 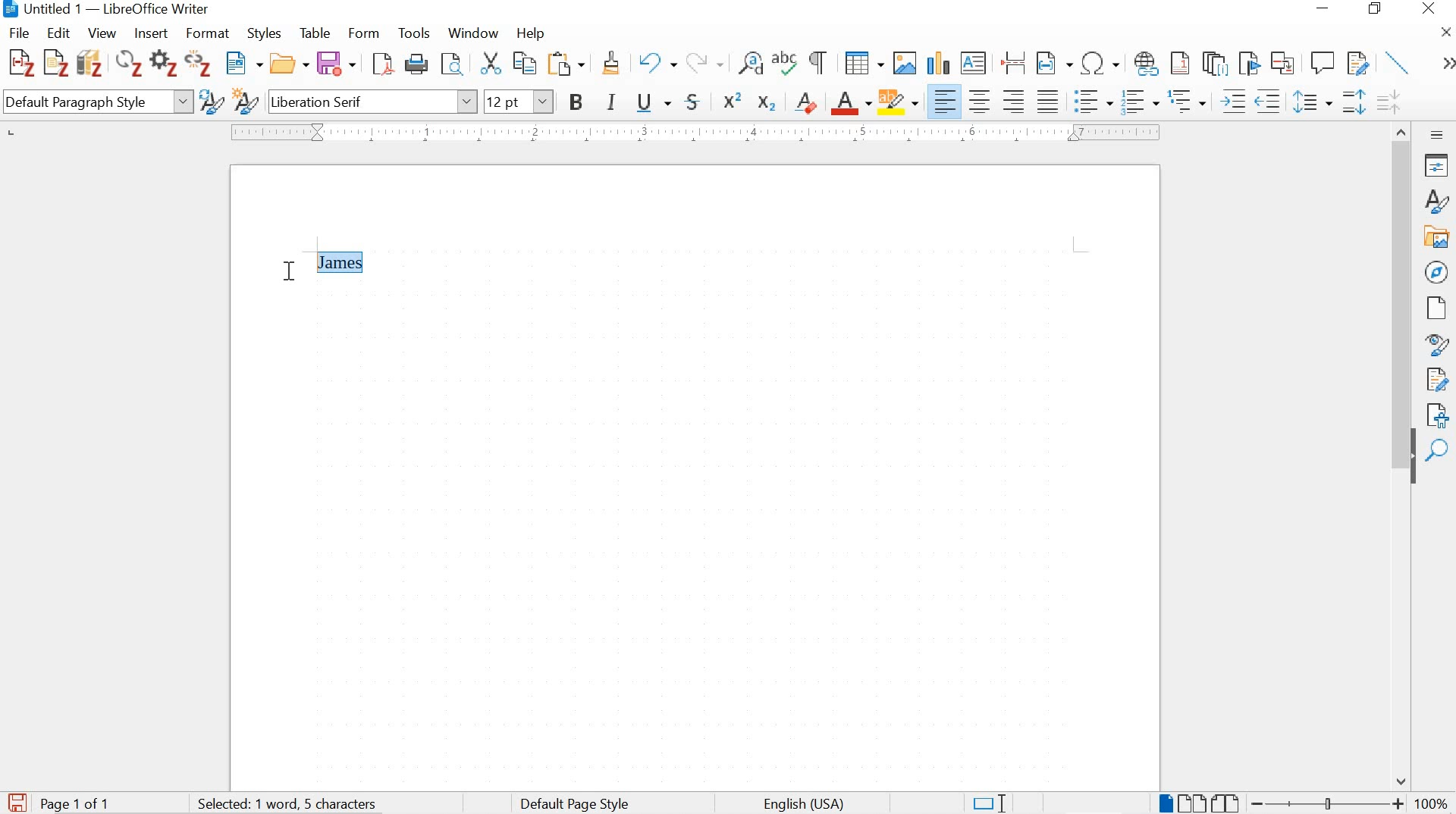 I want to click on cursor, so click(x=290, y=268).